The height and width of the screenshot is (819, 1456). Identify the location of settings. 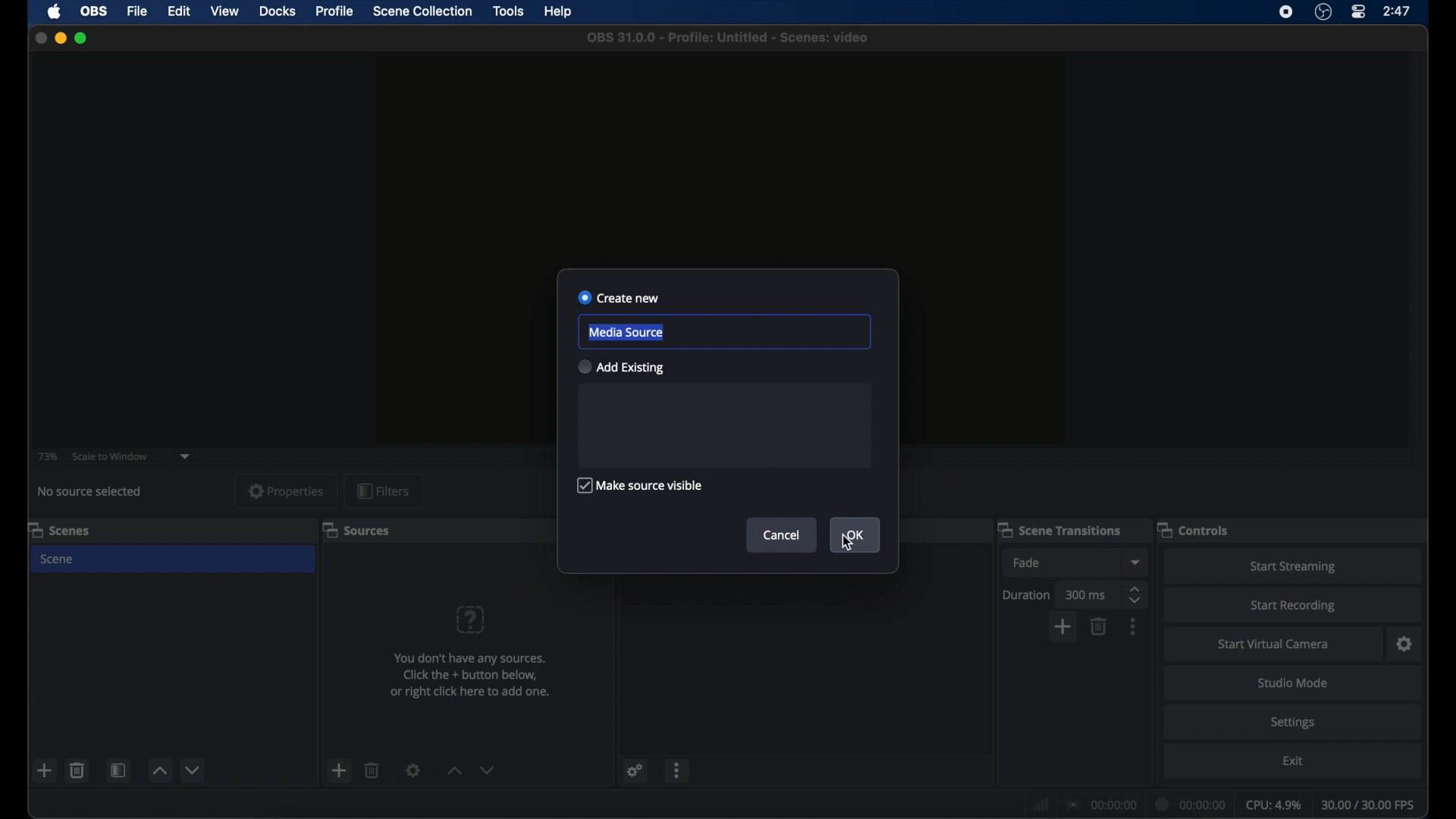
(1404, 645).